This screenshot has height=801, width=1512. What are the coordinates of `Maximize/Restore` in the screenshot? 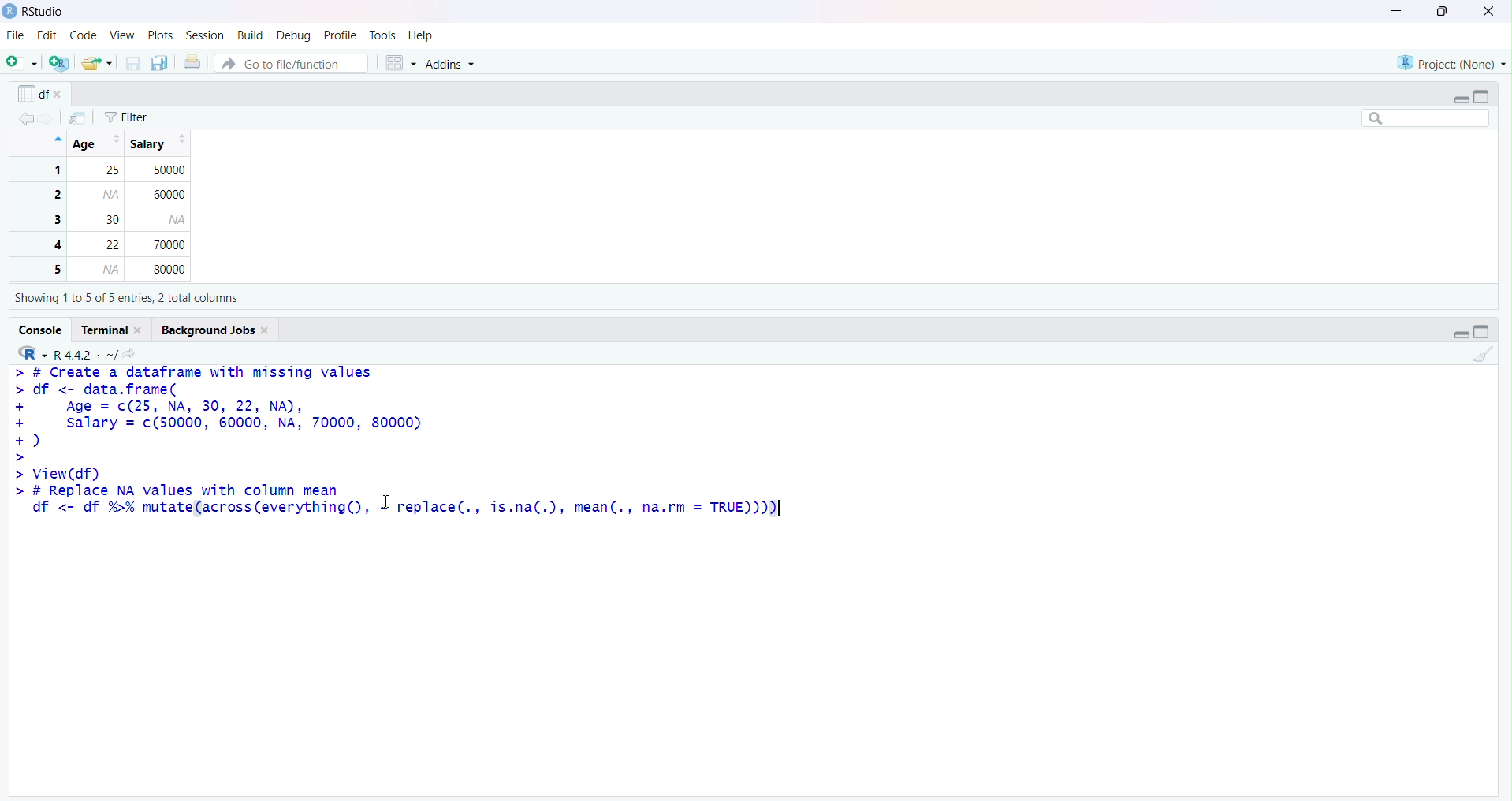 It's located at (1483, 331).